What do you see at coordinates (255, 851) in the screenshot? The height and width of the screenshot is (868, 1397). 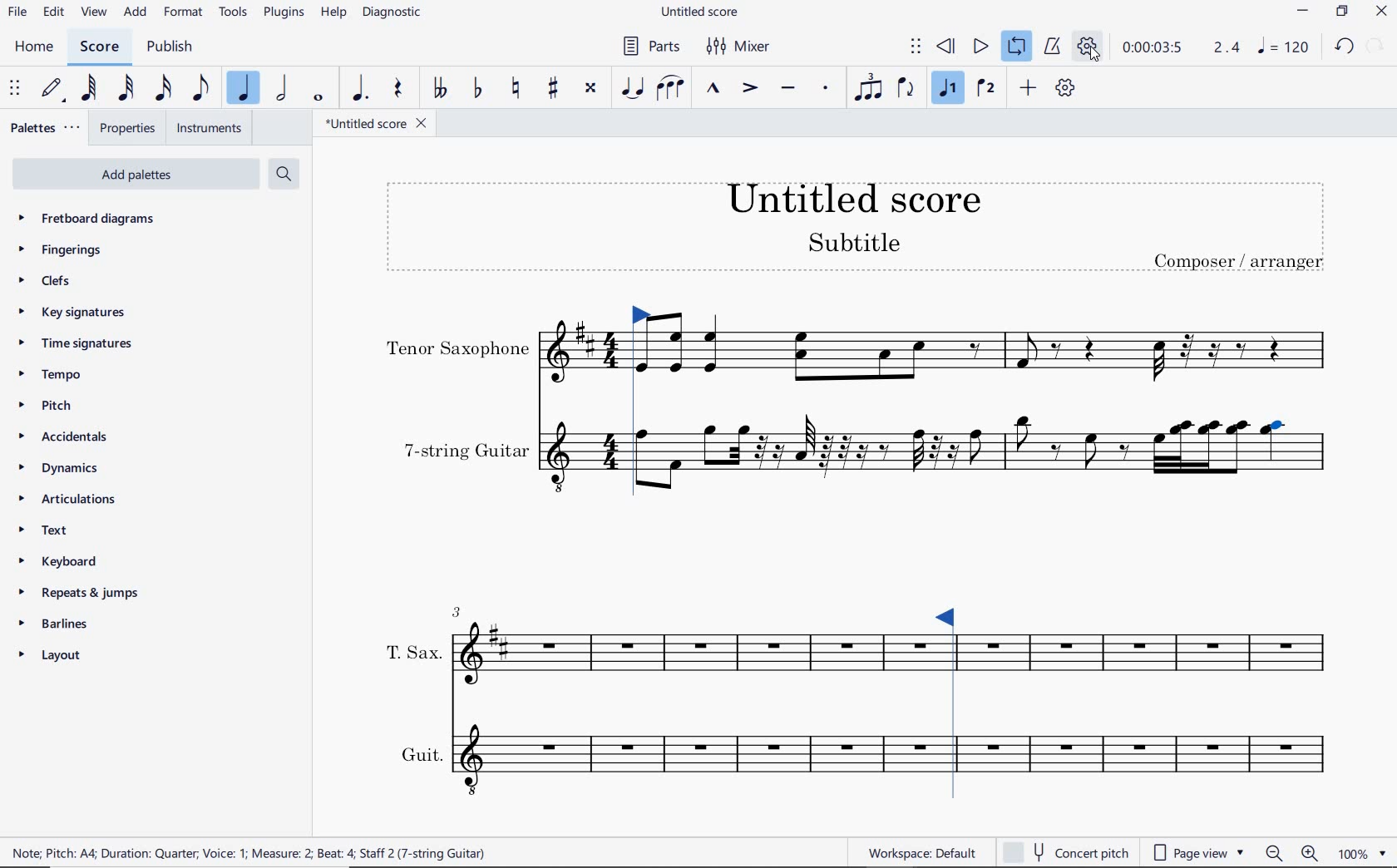 I see `score description` at bounding box center [255, 851].